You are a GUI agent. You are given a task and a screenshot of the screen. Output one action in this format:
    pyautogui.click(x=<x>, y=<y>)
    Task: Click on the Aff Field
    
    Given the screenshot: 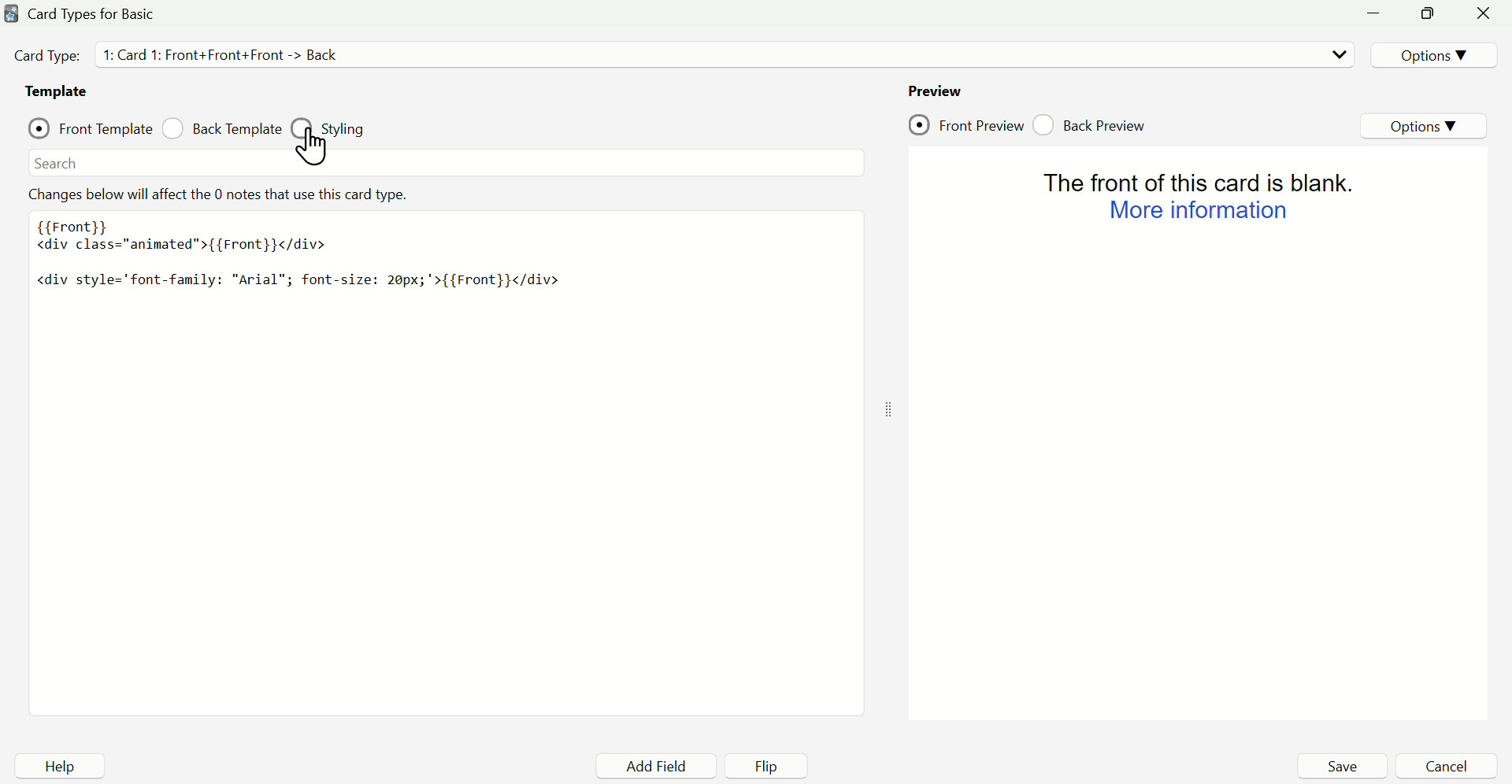 What is the action you would take?
    pyautogui.click(x=661, y=767)
    